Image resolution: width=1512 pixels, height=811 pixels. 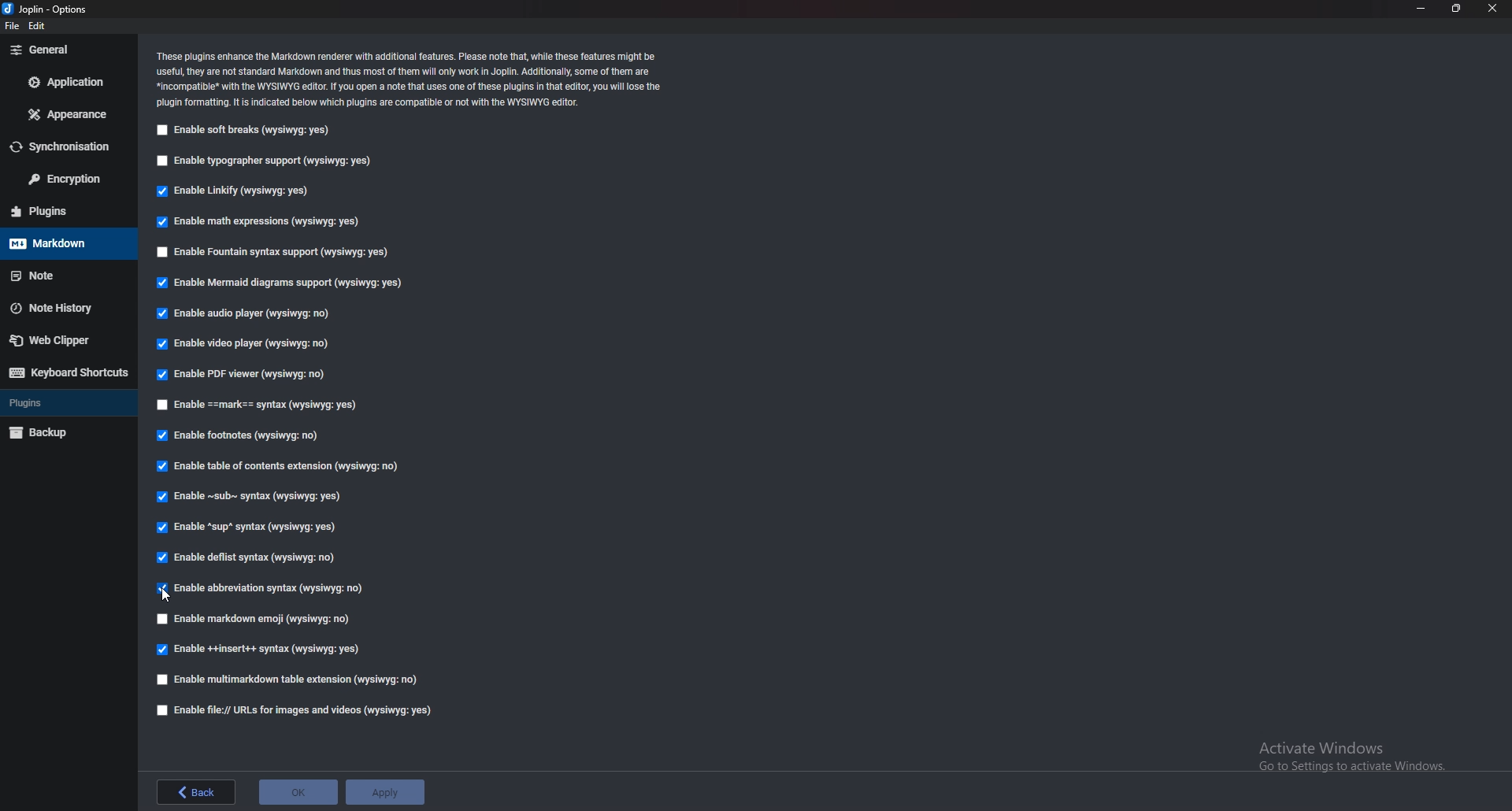 What do you see at coordinates (287, 680) in the screenshot?
I see `enable multimarkdown table` at bounding box center [287, 680].